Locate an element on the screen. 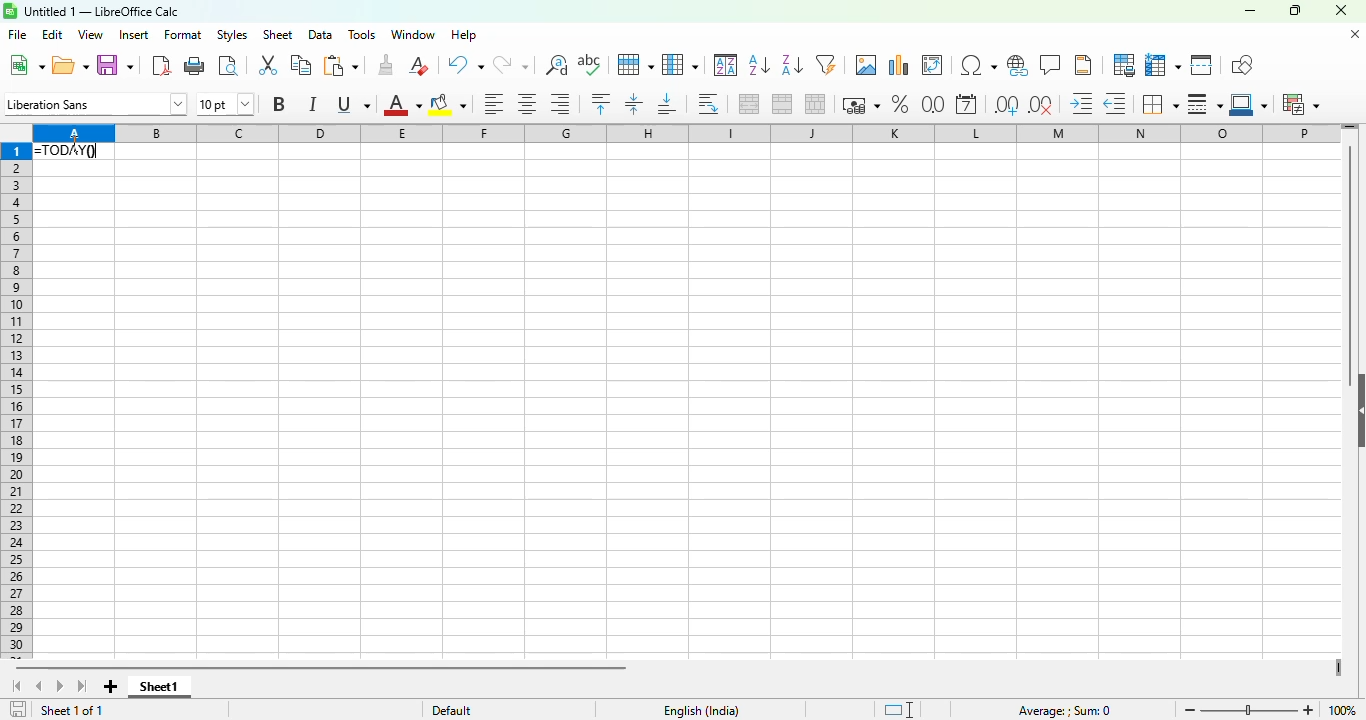 The width and height of the screenshot is (1366, 720). italic is located at coordinates (312, 103).